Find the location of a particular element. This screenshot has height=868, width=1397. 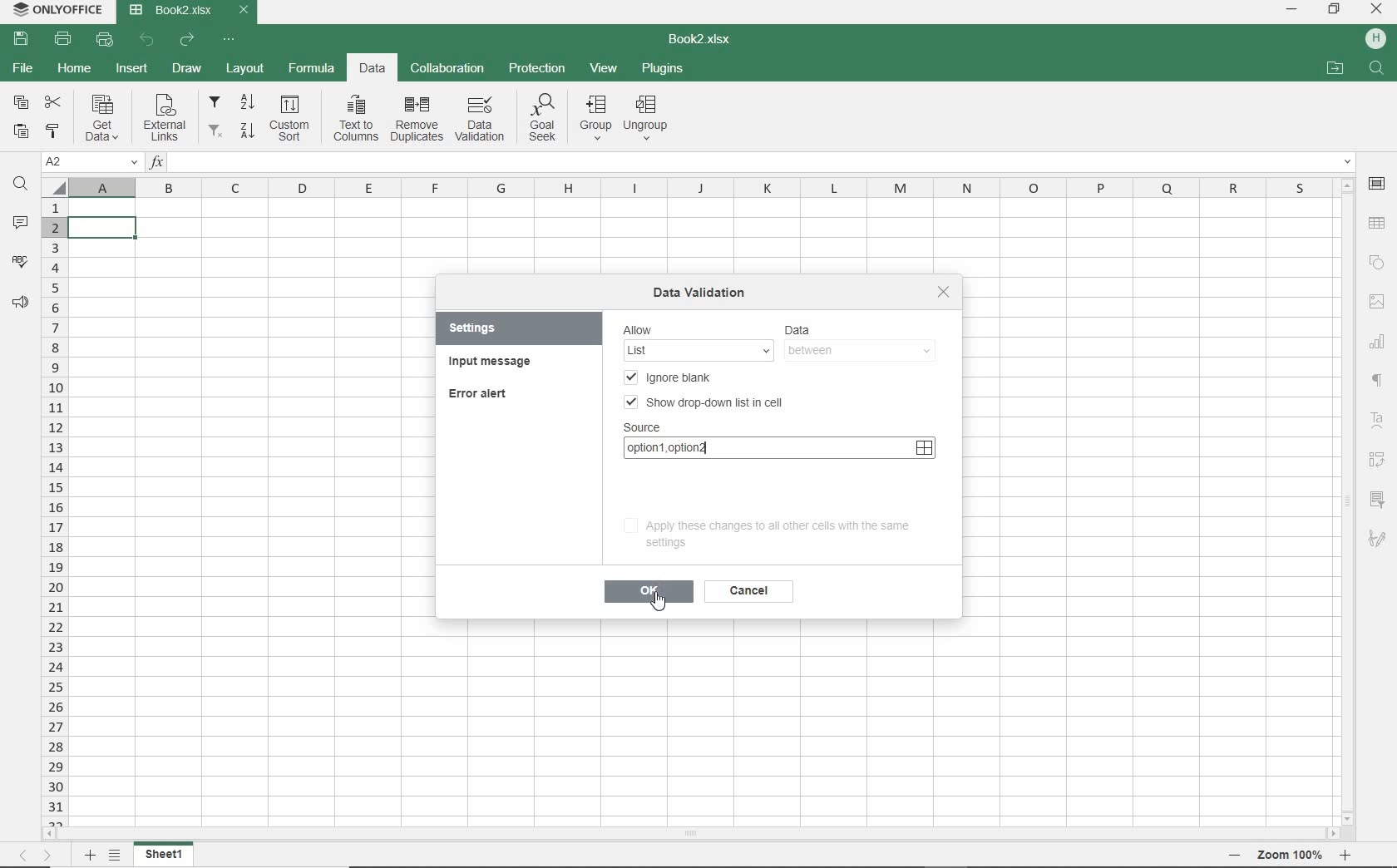

IMAGE is located at coordinates (1377, 301).